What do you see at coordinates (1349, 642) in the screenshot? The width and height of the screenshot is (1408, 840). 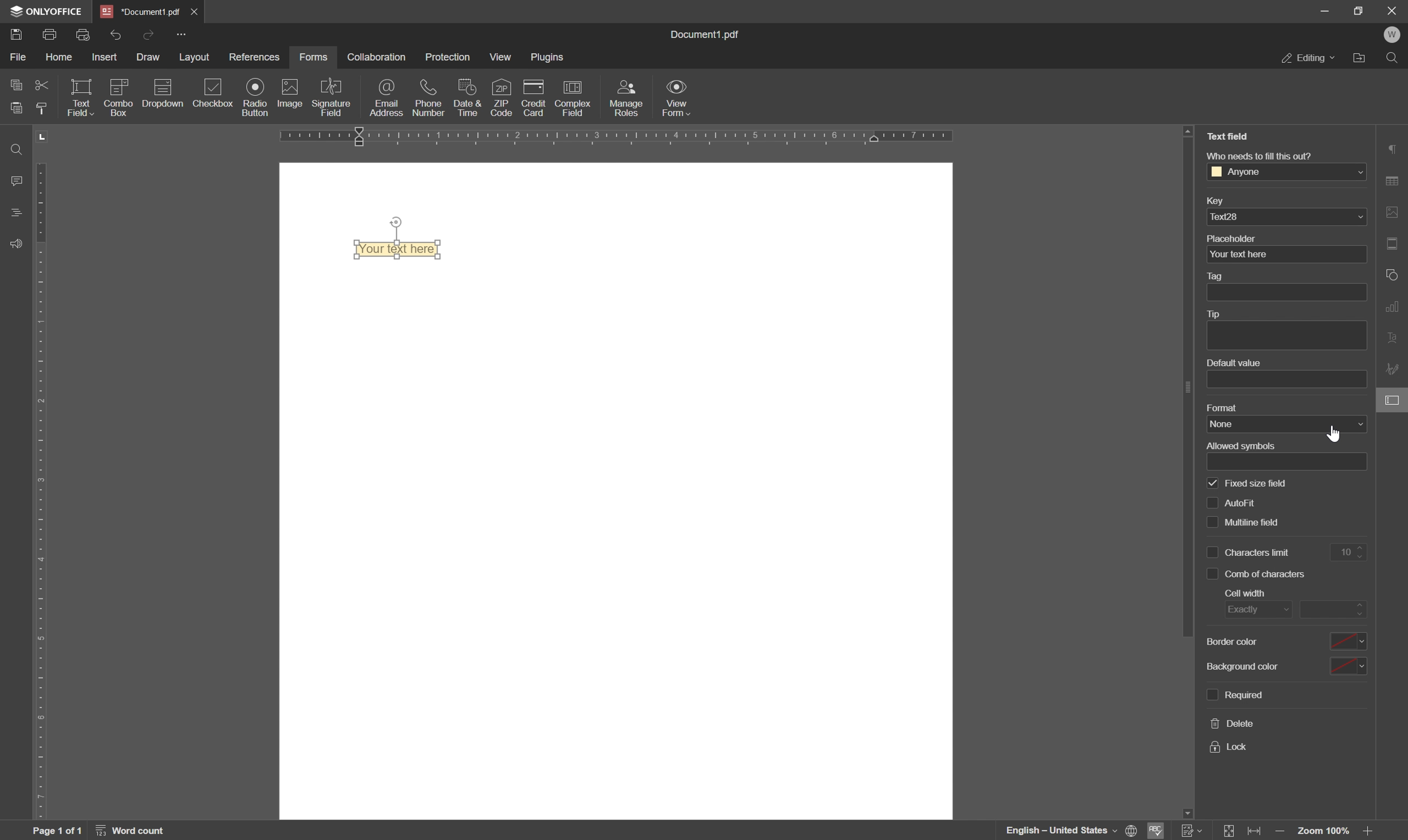 I see `drop down` at bounding box center [1349, 642].